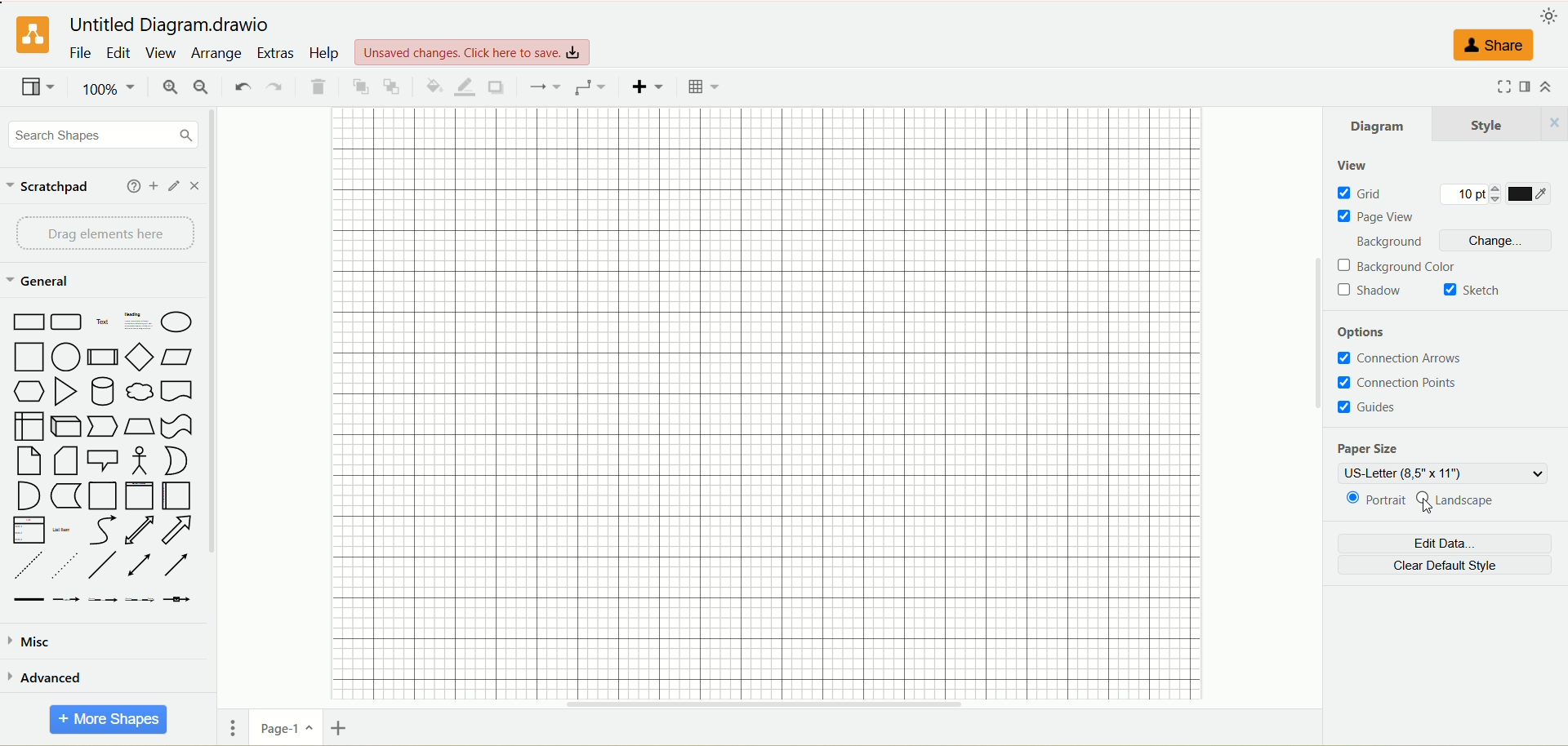 The width and height of the screenshot is (1568, 746). Describe the element at coordinates (37, 88) in the screenshot. I see `view` at that location.